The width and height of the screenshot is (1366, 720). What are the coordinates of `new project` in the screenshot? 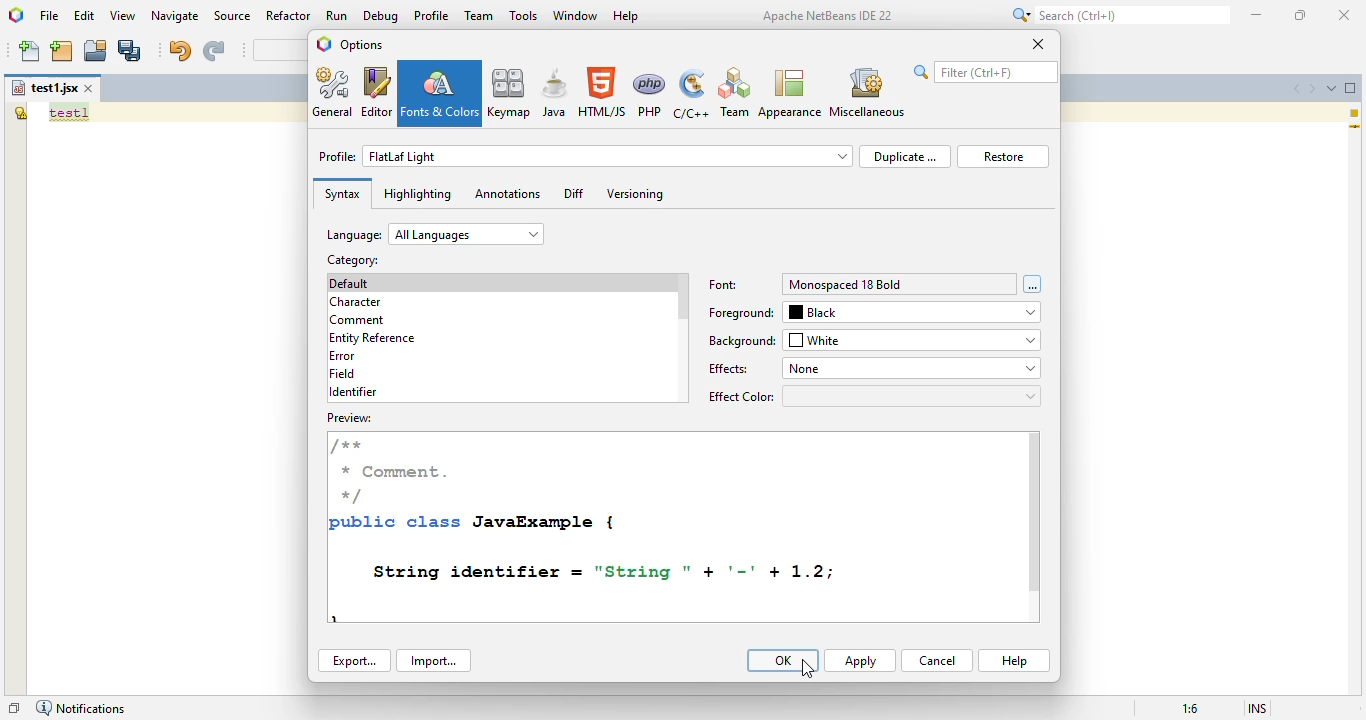 It's located at (62, 51).